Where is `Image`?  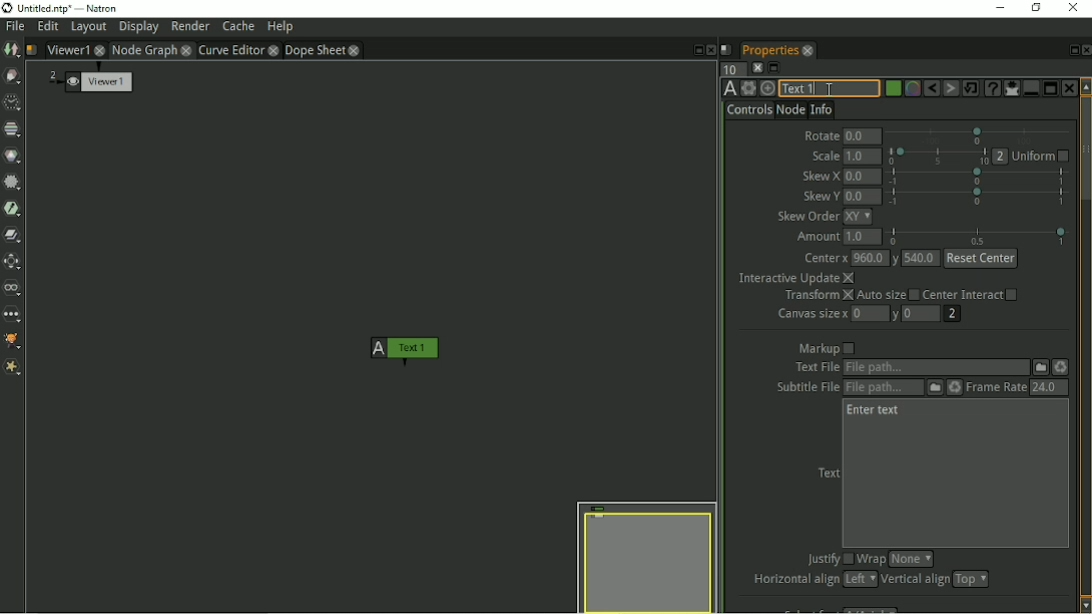
Image is located at coordinates (11, 50).